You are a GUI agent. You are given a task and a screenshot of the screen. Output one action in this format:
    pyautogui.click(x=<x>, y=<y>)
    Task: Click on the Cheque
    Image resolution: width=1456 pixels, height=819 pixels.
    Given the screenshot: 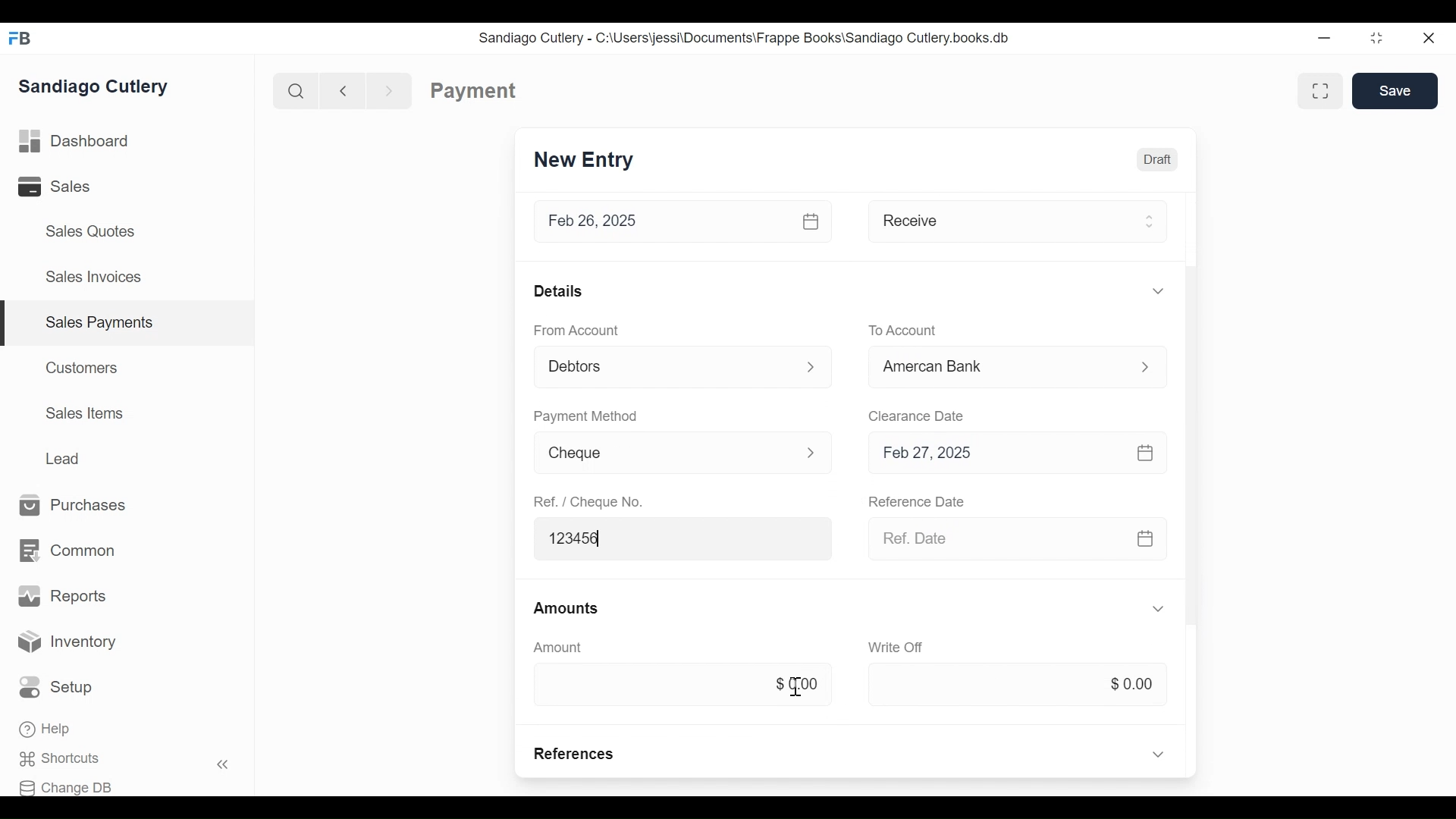 What is the action you would take?
    pyautogui.click(x=661, y=454)
    